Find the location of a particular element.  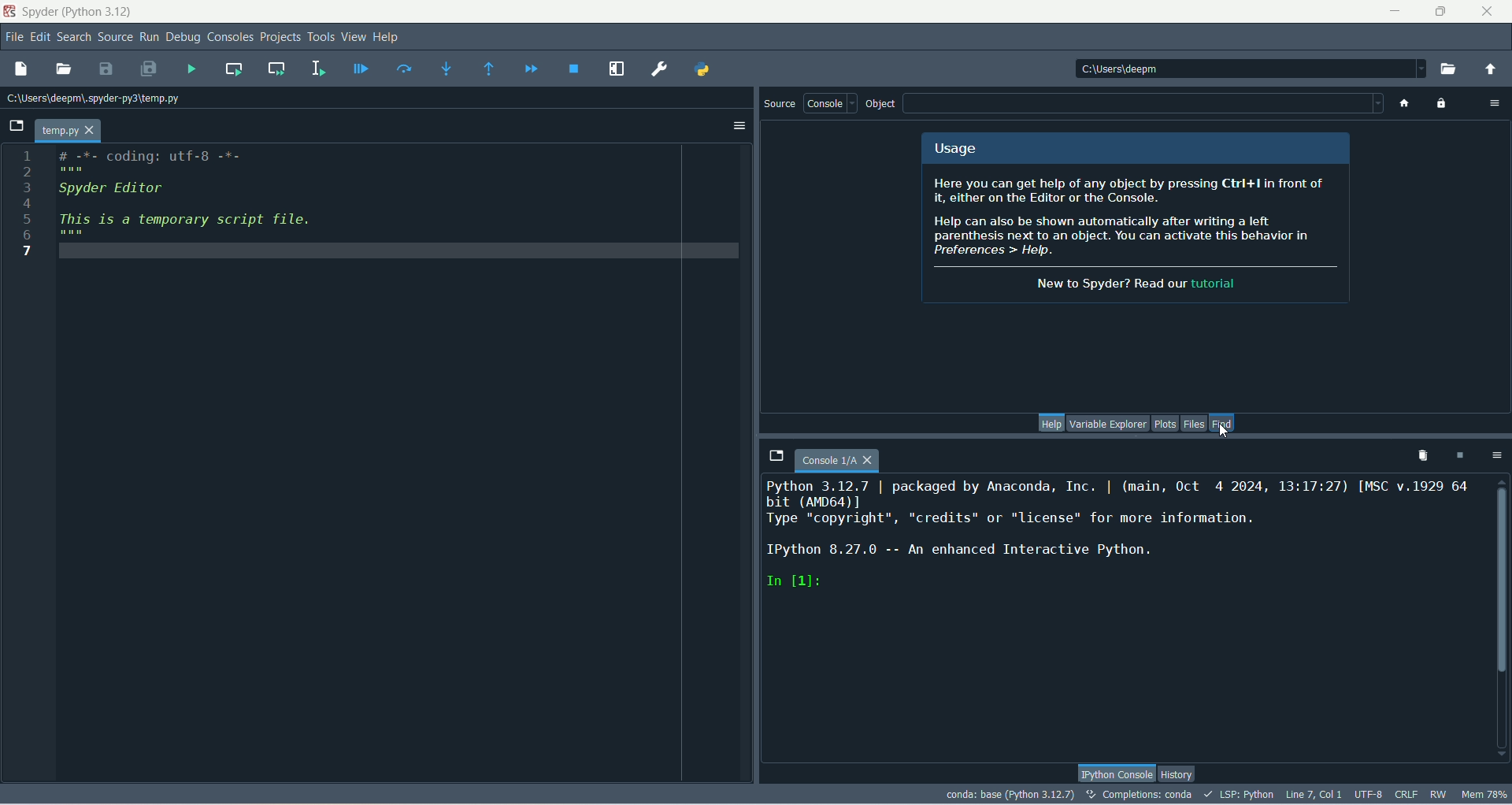

open is located at coordinates (64, 70).